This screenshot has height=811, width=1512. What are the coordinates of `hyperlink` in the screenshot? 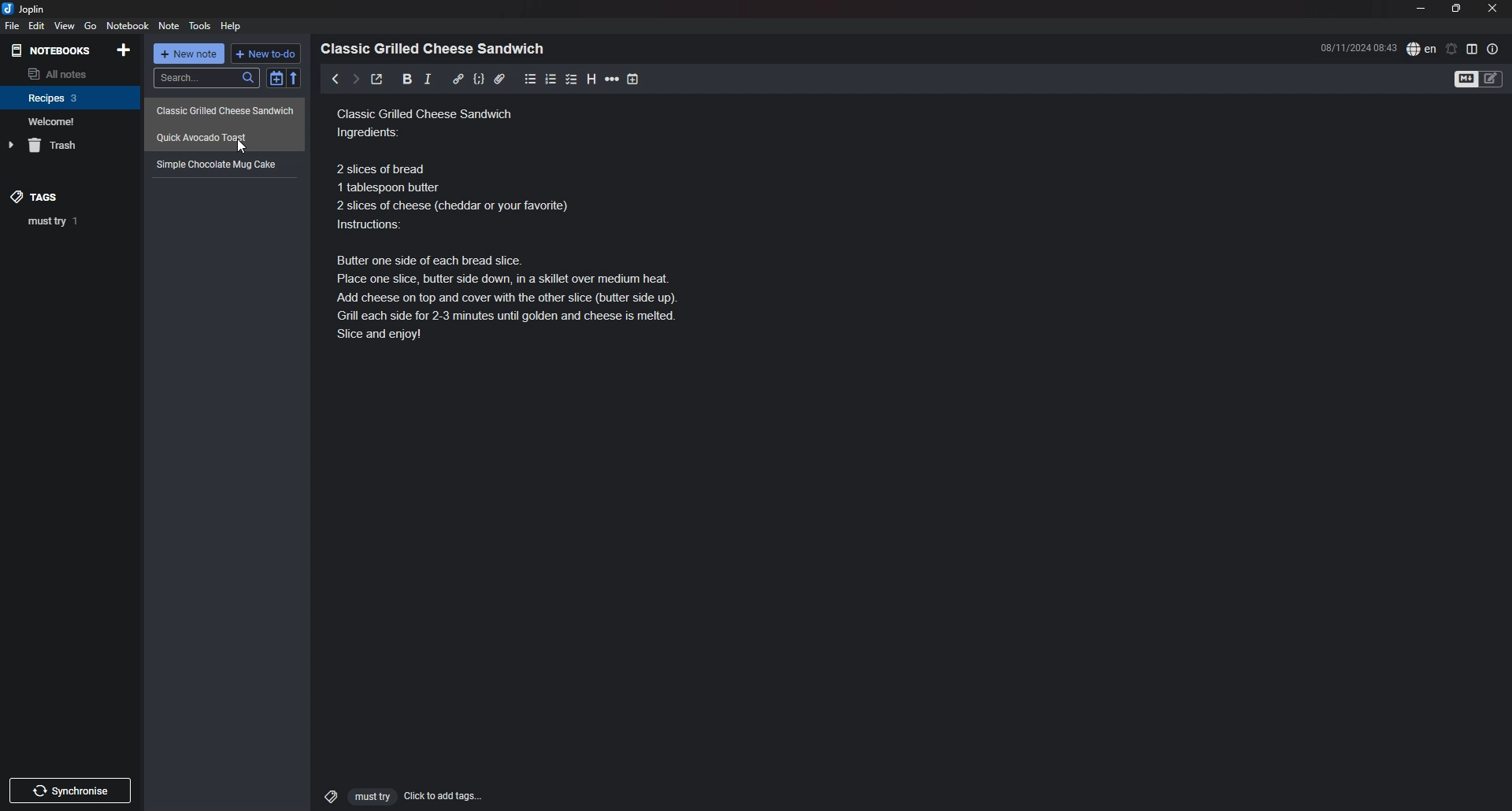 It's located at (458, 78).